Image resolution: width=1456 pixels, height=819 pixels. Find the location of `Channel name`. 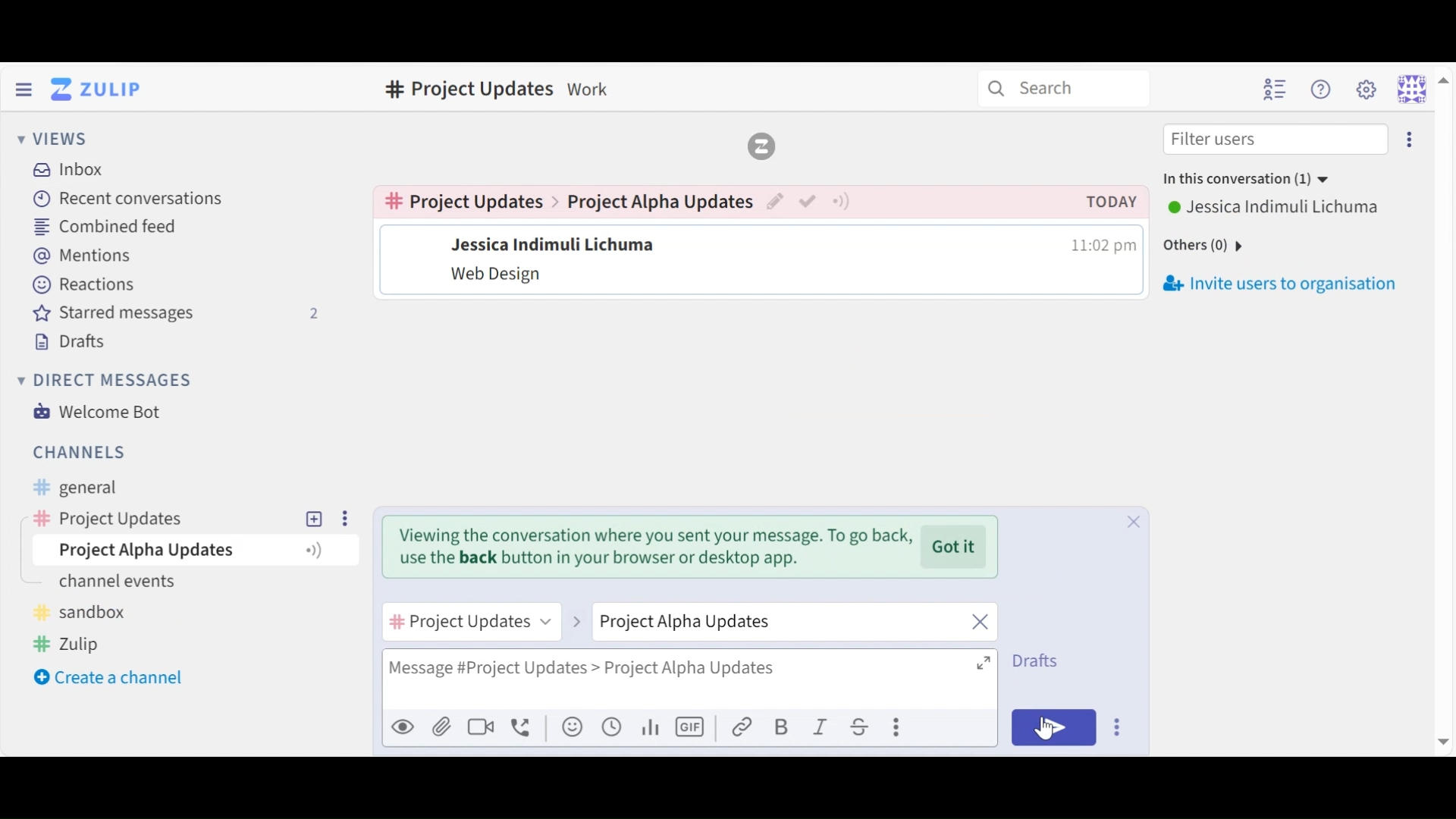

Channel name is located at coordinates (470, 624).